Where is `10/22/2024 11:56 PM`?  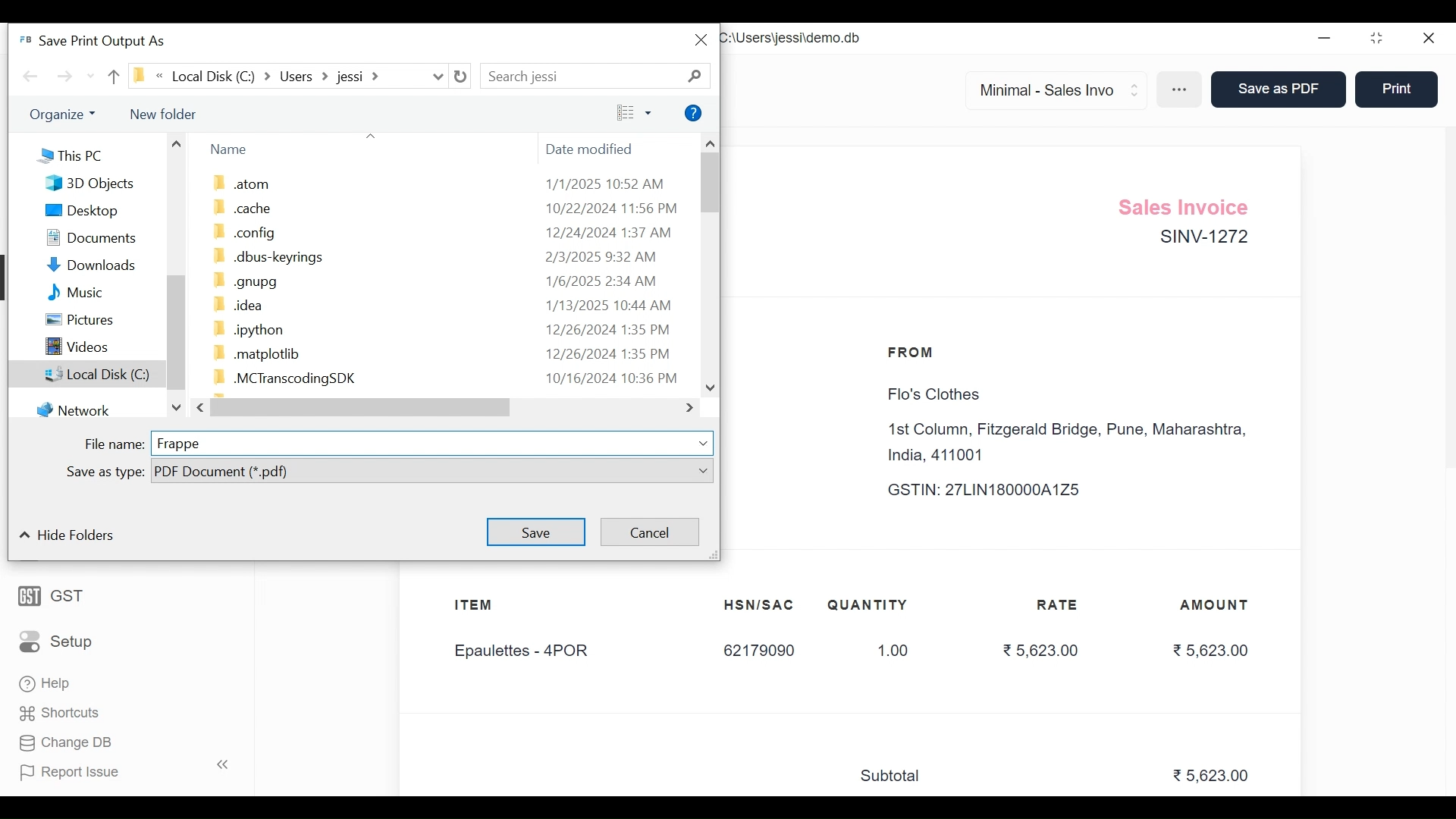 10/22/2024 11:56 PM is located at coordinates (610, 207).